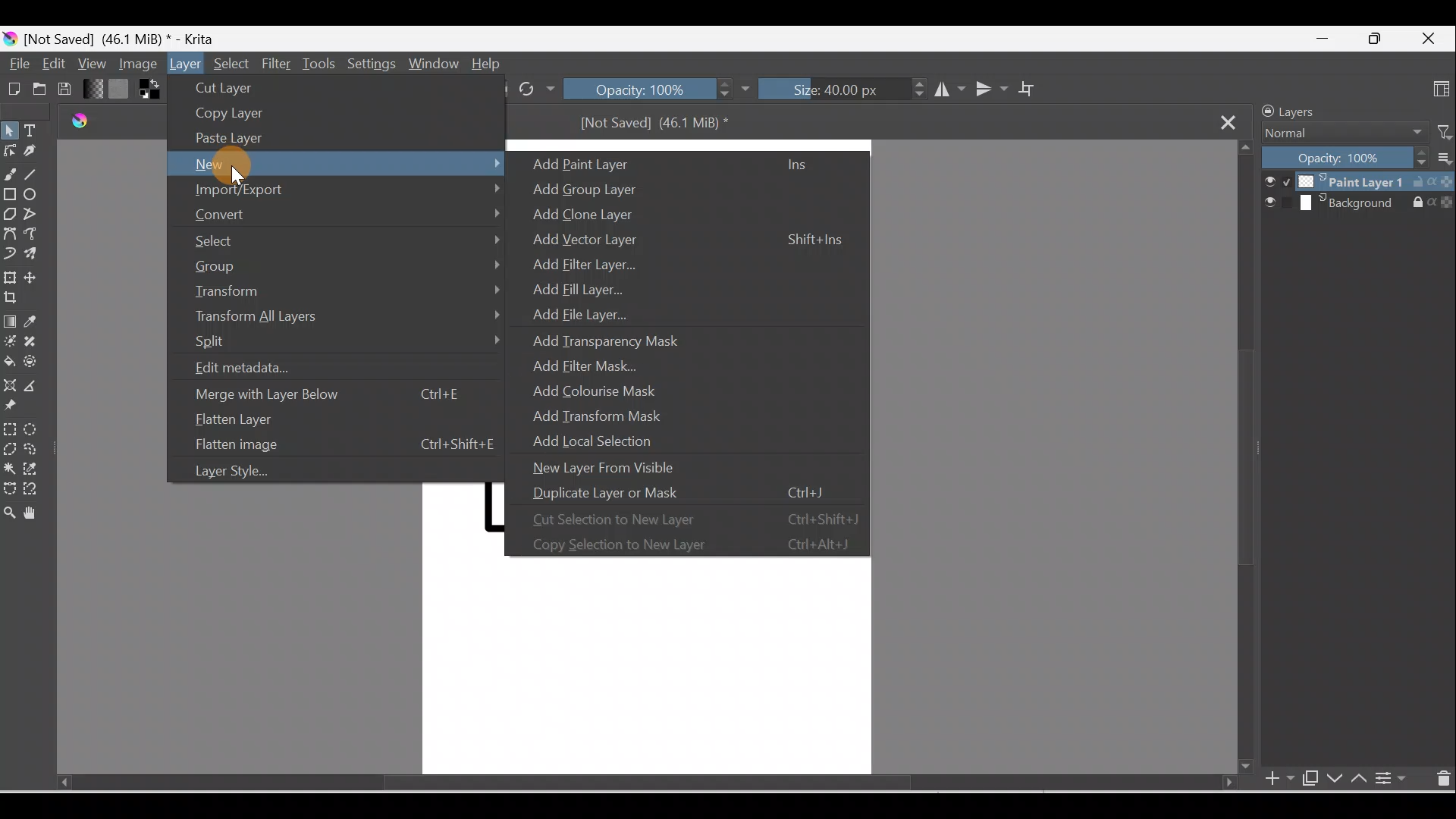  I want to click on Split, so click(345, 344).